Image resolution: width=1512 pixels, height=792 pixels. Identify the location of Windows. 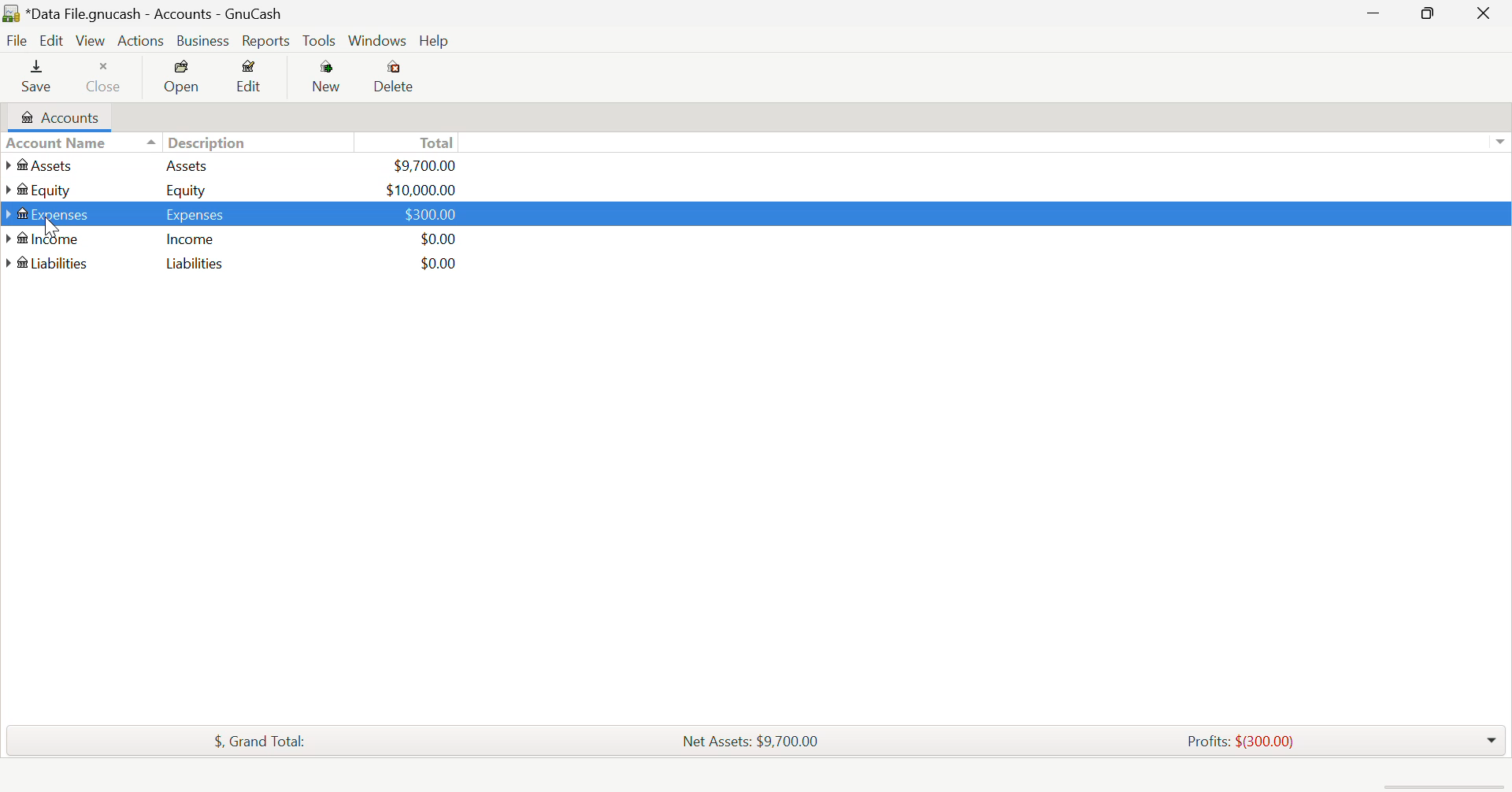
(378, 40).